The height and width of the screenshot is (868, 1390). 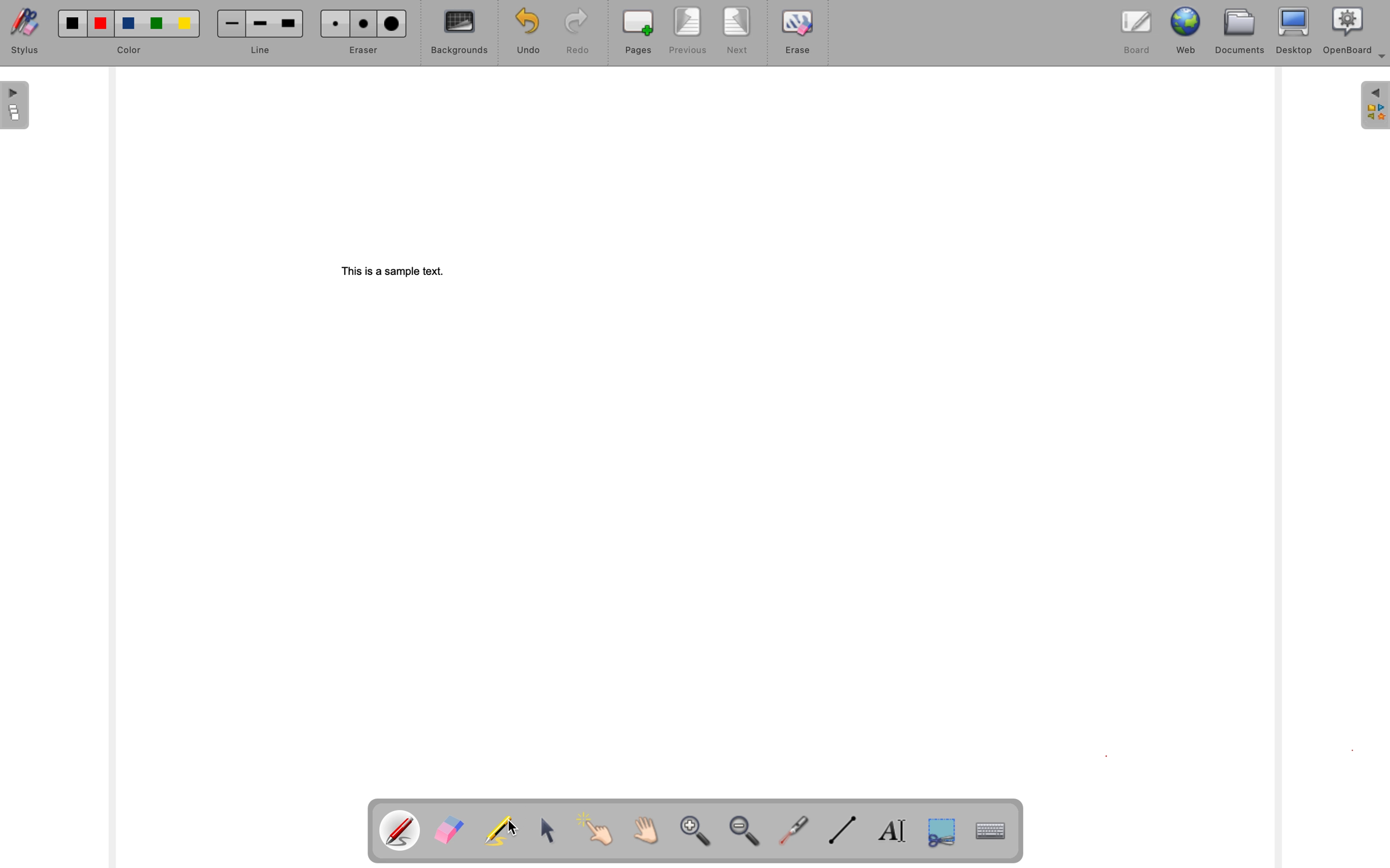 I want to click on The flatplan (left panel), so click(x=16, y=106).